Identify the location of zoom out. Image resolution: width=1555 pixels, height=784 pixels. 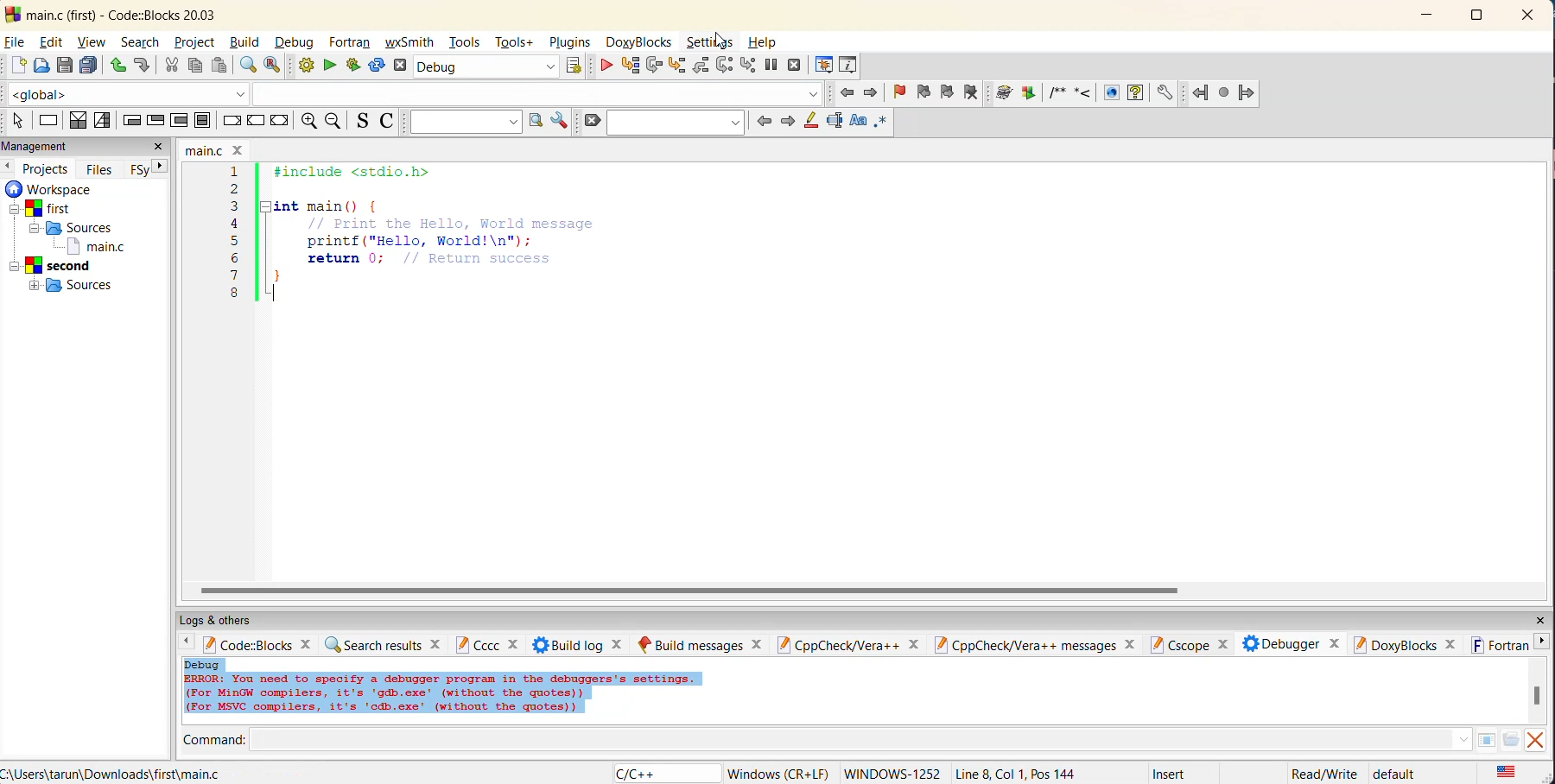
(333, 121).